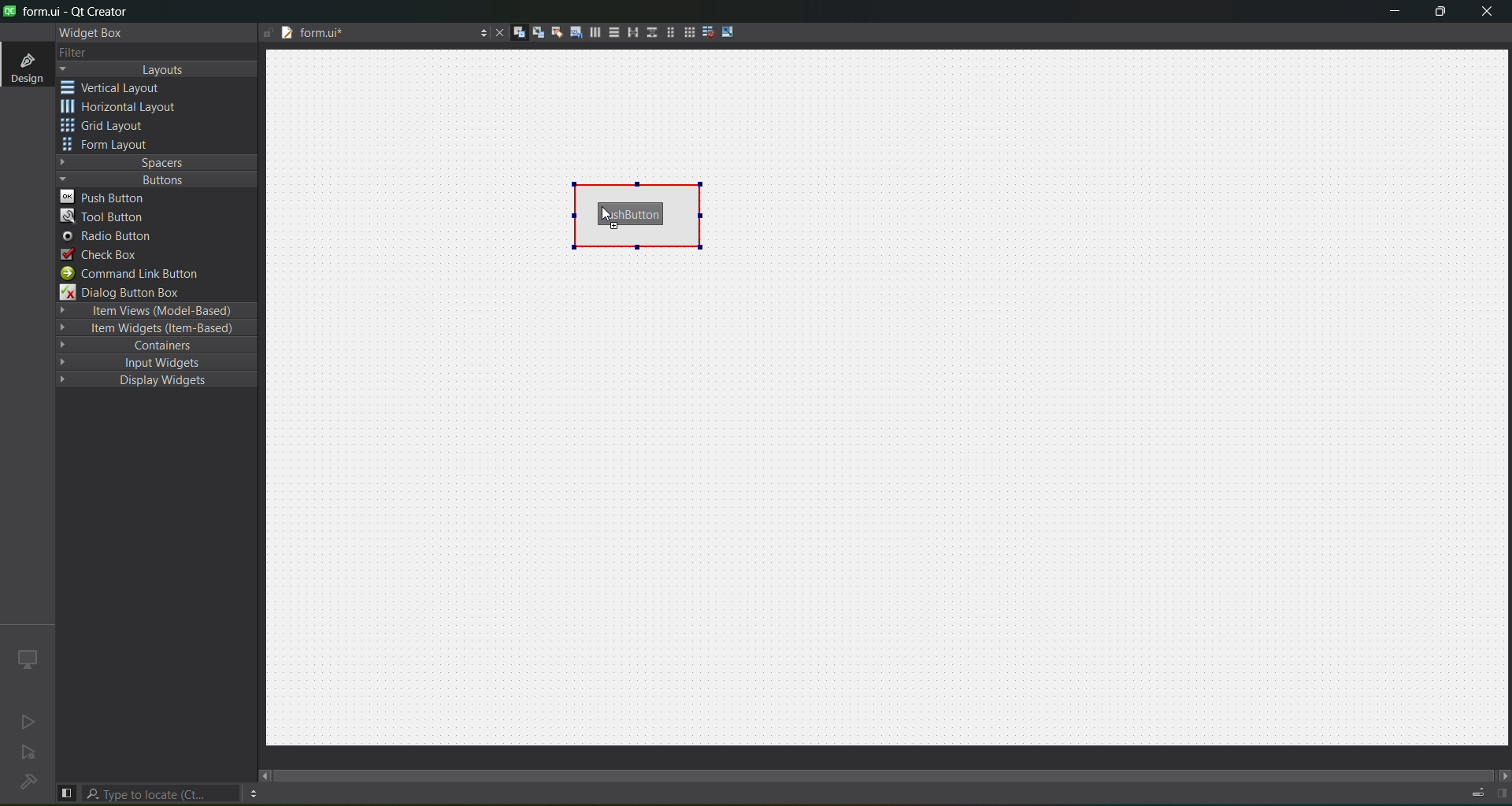 The image size is (1512, 806). I want to click on move right, so click(1501, 774).